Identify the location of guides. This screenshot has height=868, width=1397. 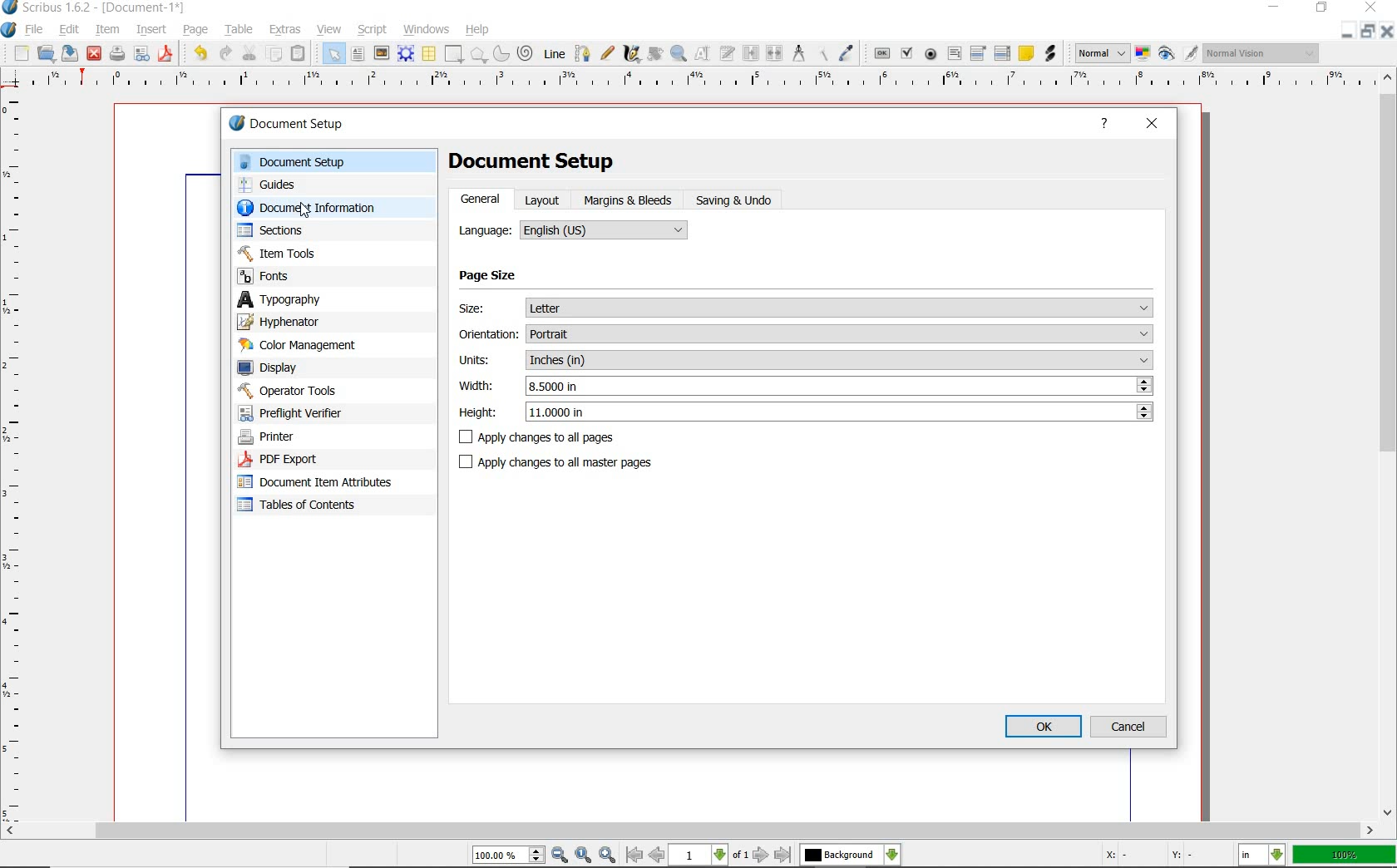
(318, 184).